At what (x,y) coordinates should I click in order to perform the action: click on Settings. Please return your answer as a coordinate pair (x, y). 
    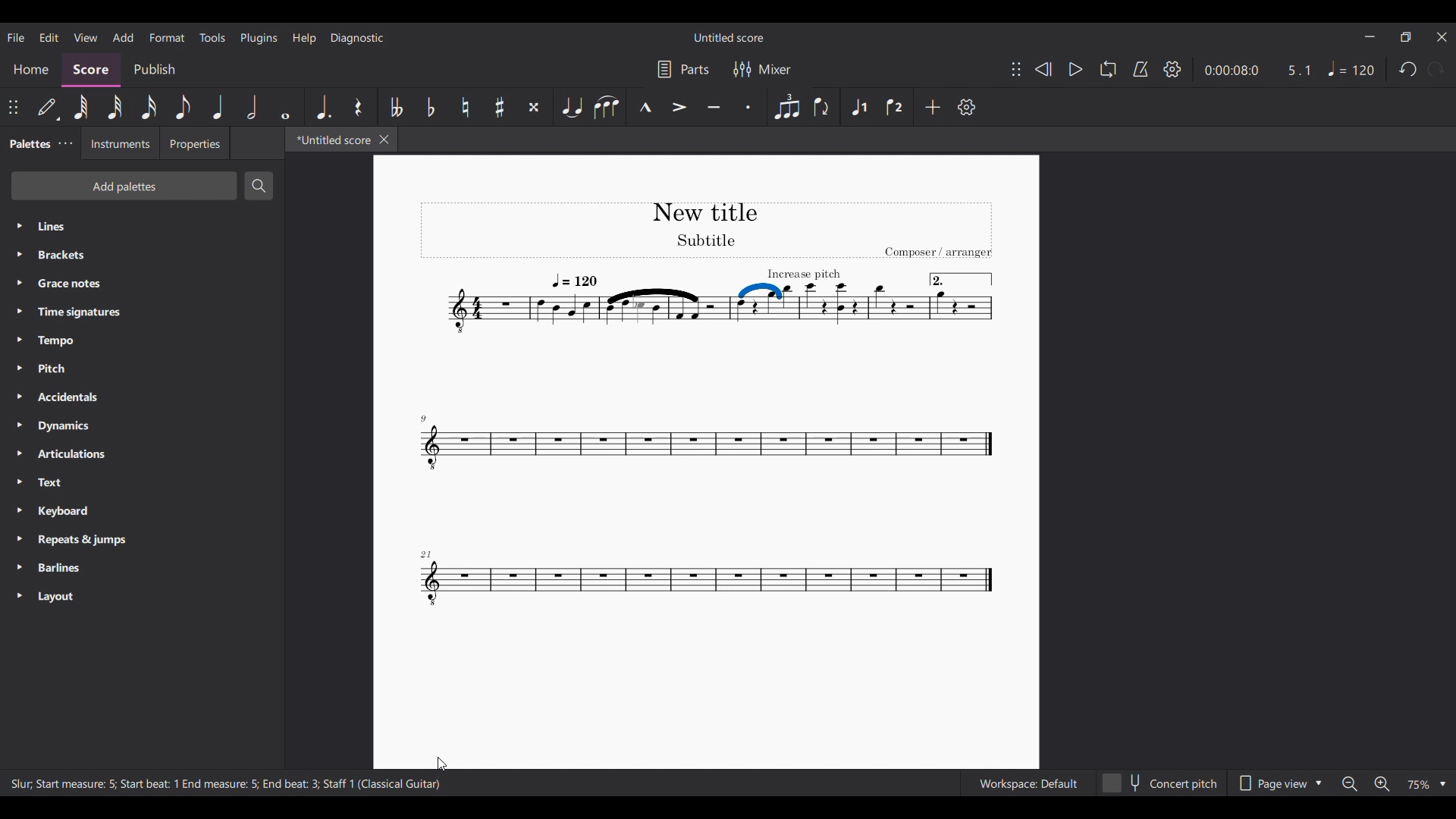
    Looking at the image, I should click on (967, 107).